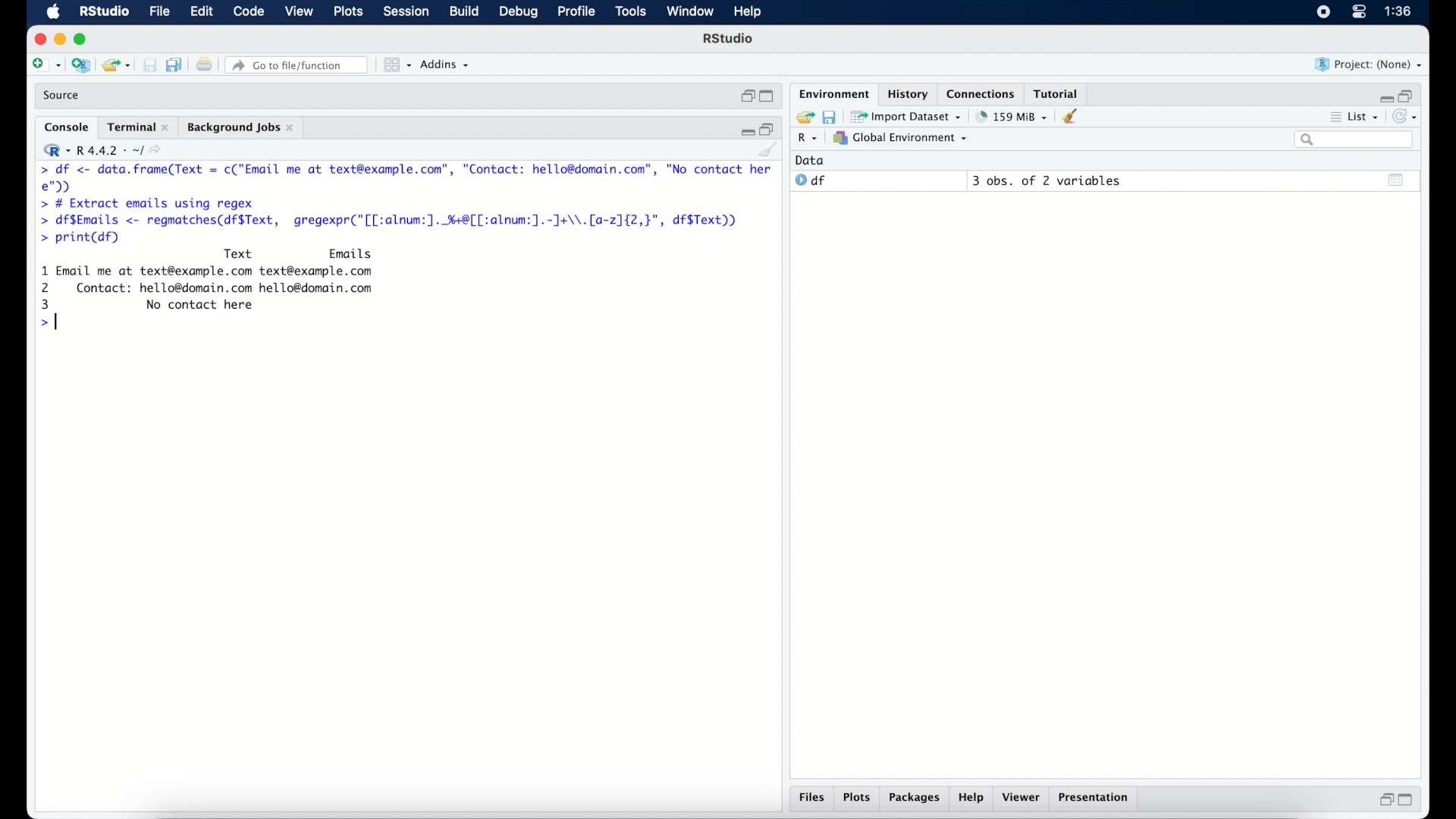 The height and width of the screenshot is (819, 1456). I want to click on clear console, so click(1073, 117).